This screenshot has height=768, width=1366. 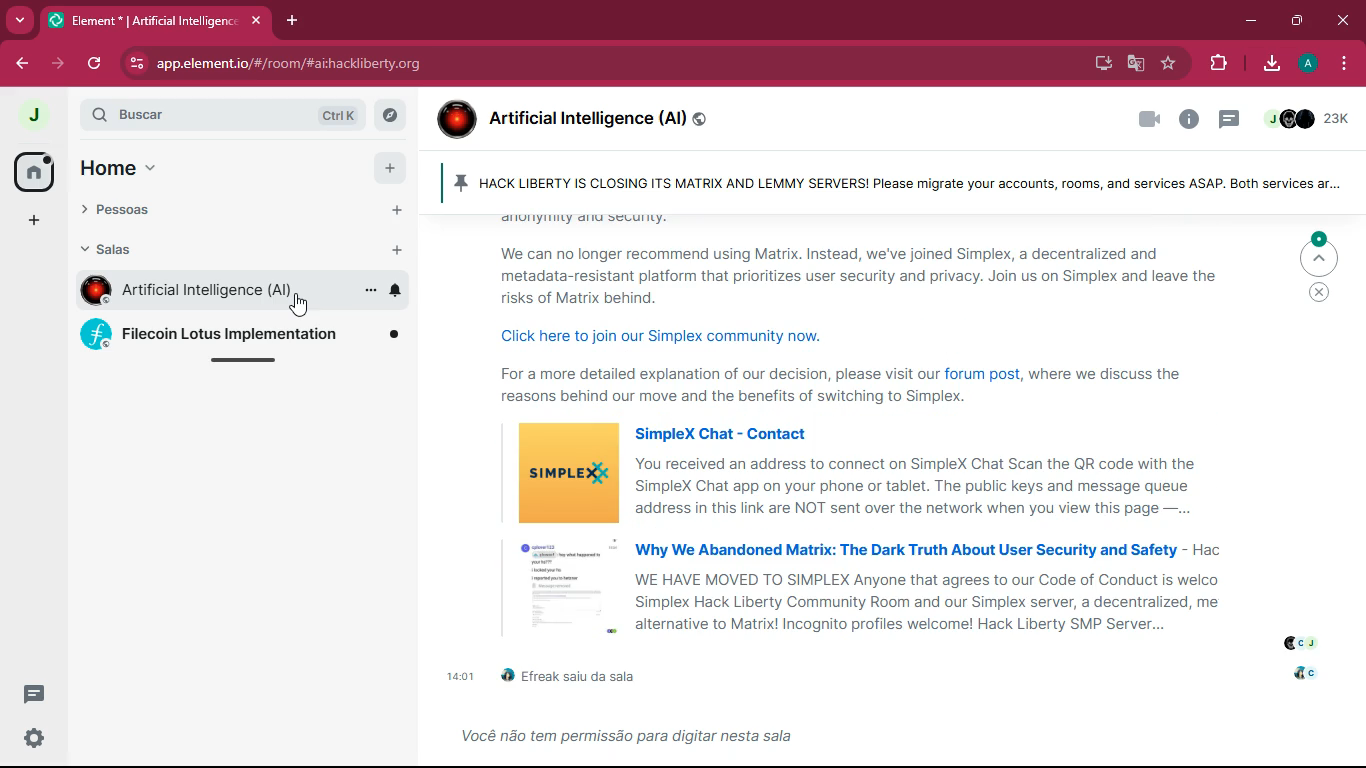 What do you see at coordinates (557, 586) in the screenshot?
I see `link image` at bounding box center [557, 586].